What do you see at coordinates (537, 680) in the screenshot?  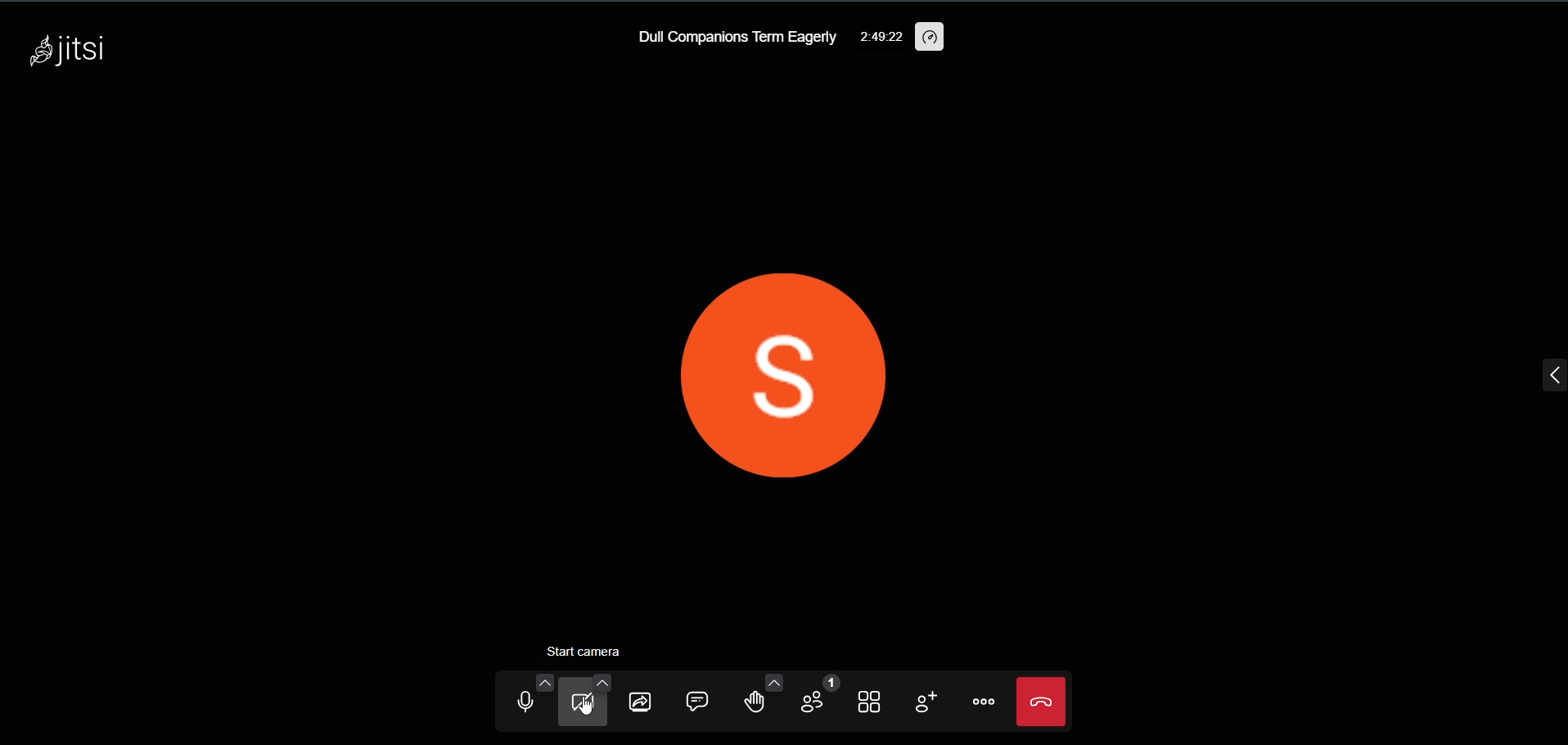 I see `audio setting` at bounding box center [537, 680].